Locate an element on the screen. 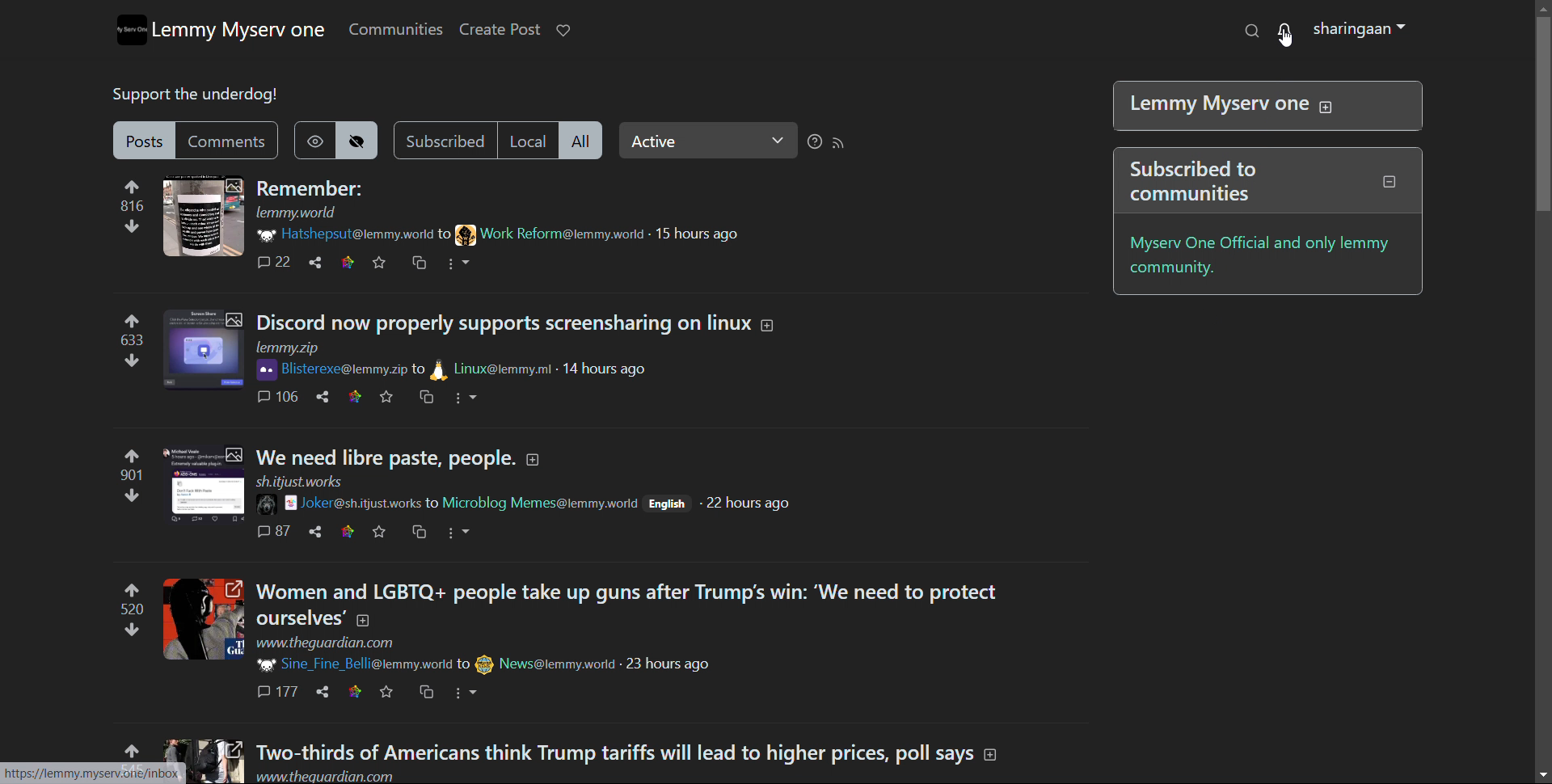 Image resolution: width=1552 pixels, height=784 pixels. more is located at coordinates (460, 264).